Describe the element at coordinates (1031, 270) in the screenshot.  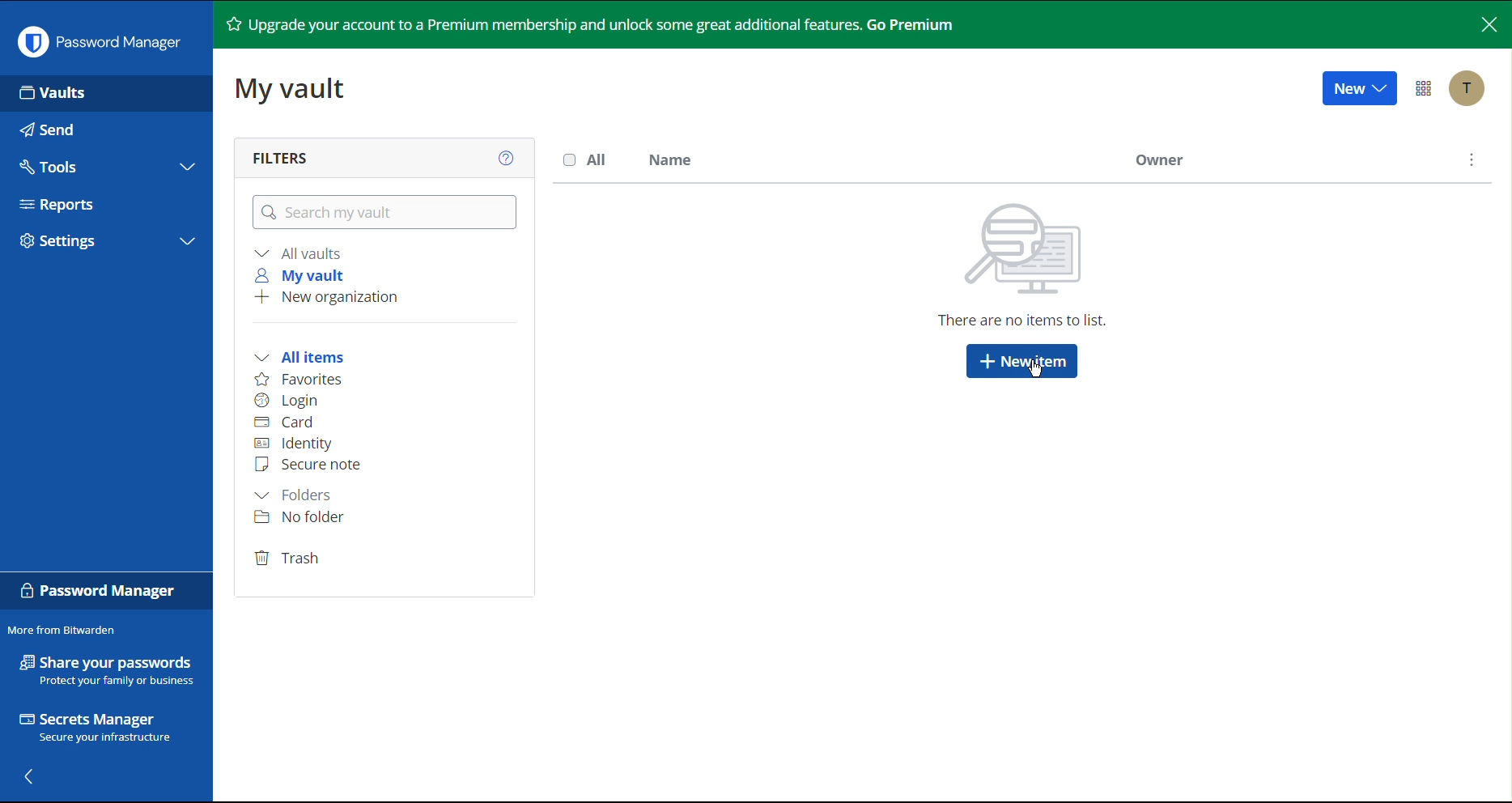
I see `There are no items to list` at that location.